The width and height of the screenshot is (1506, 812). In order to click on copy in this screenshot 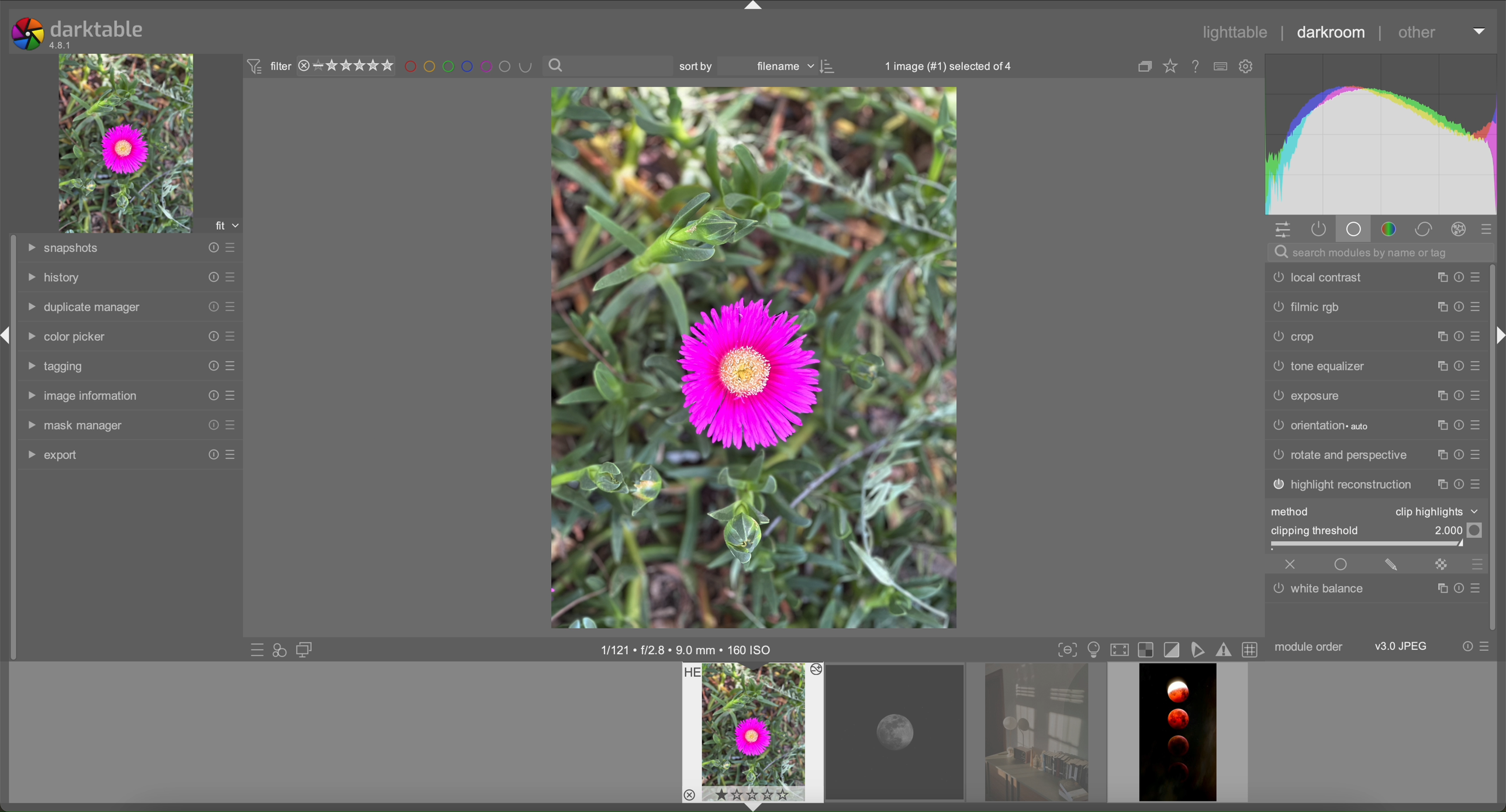, I will do `click(1438, 365)`.